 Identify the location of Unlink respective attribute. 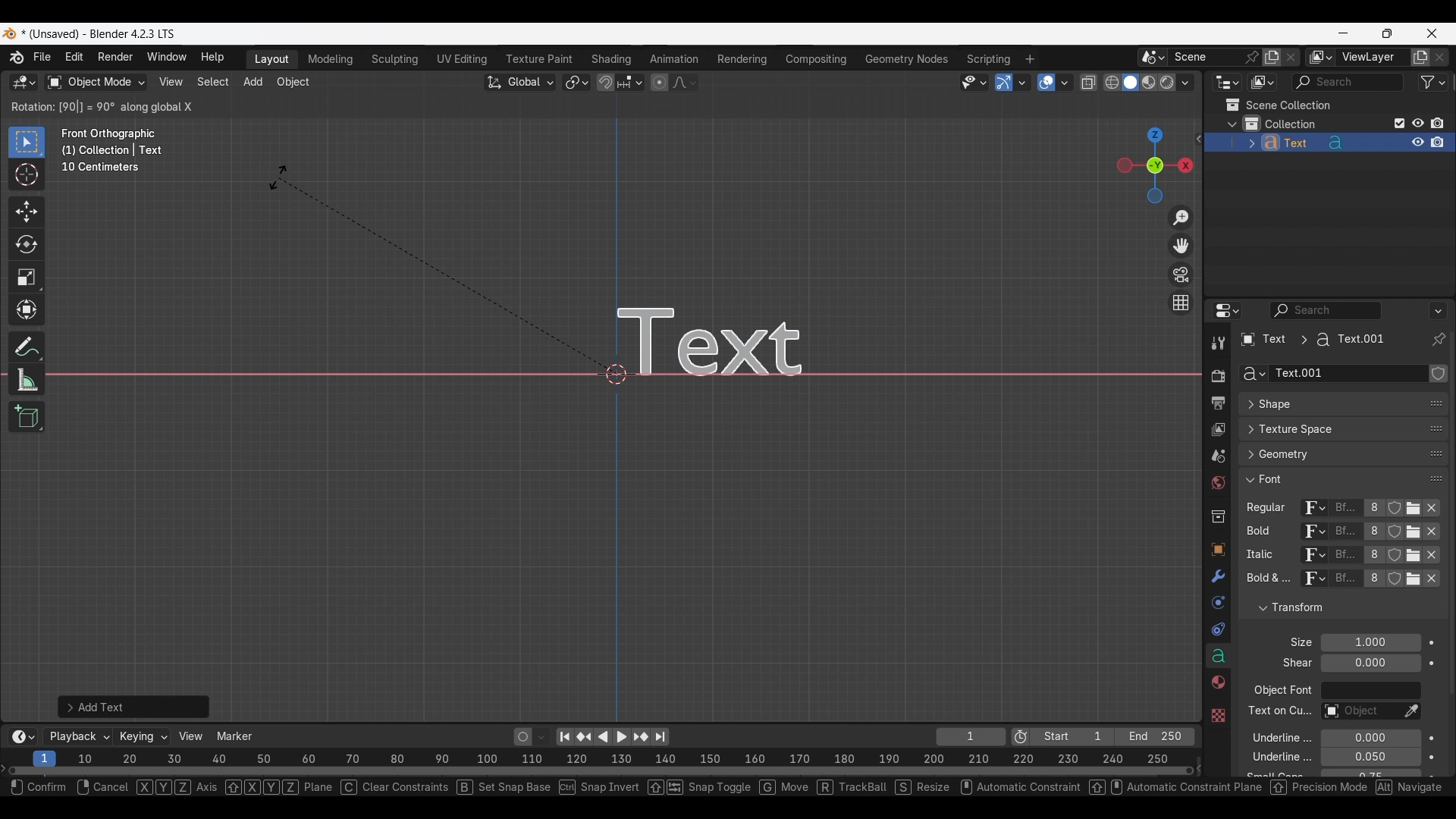
(1432, 544).